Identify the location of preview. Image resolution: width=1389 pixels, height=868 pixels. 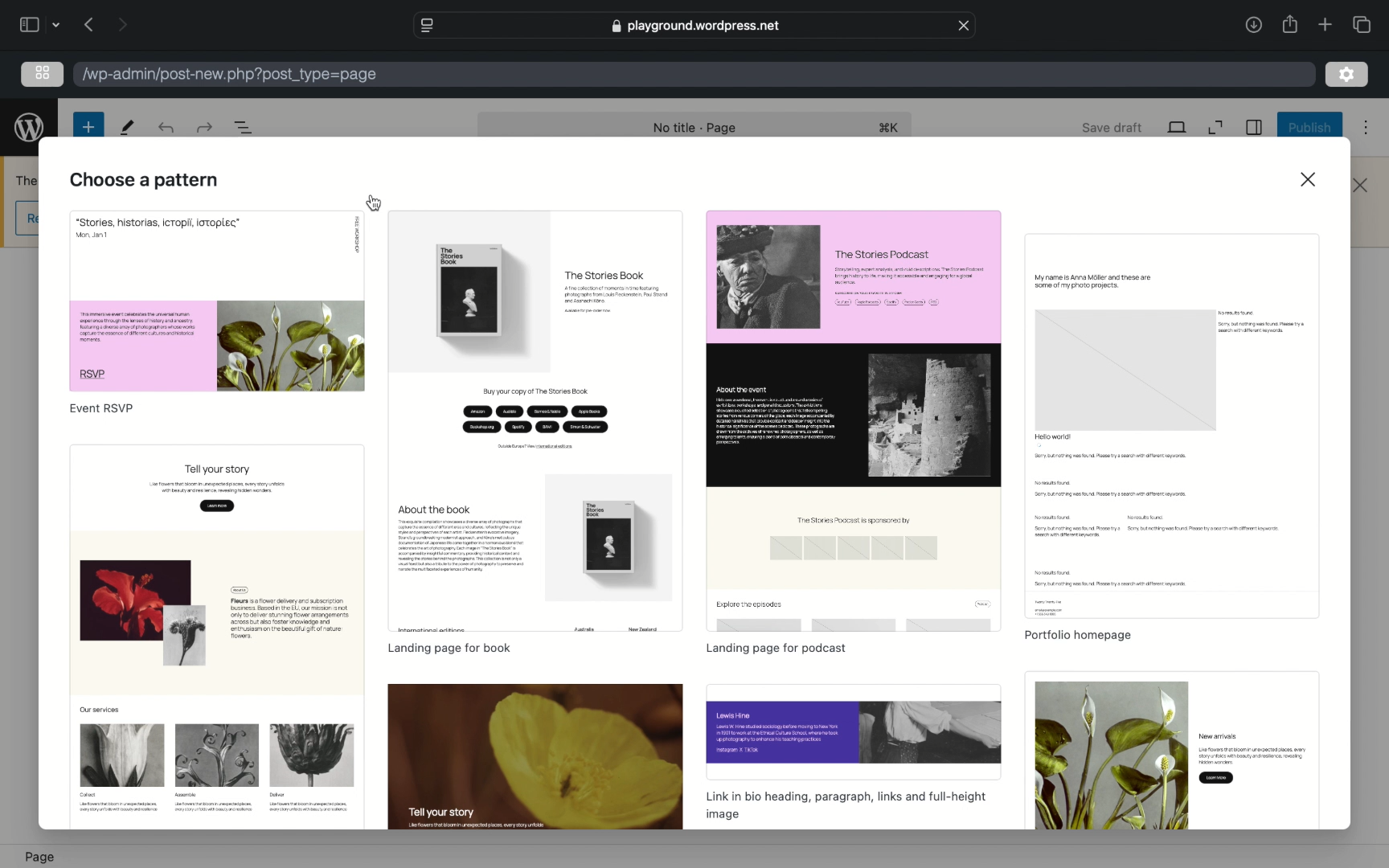
(854, 419).